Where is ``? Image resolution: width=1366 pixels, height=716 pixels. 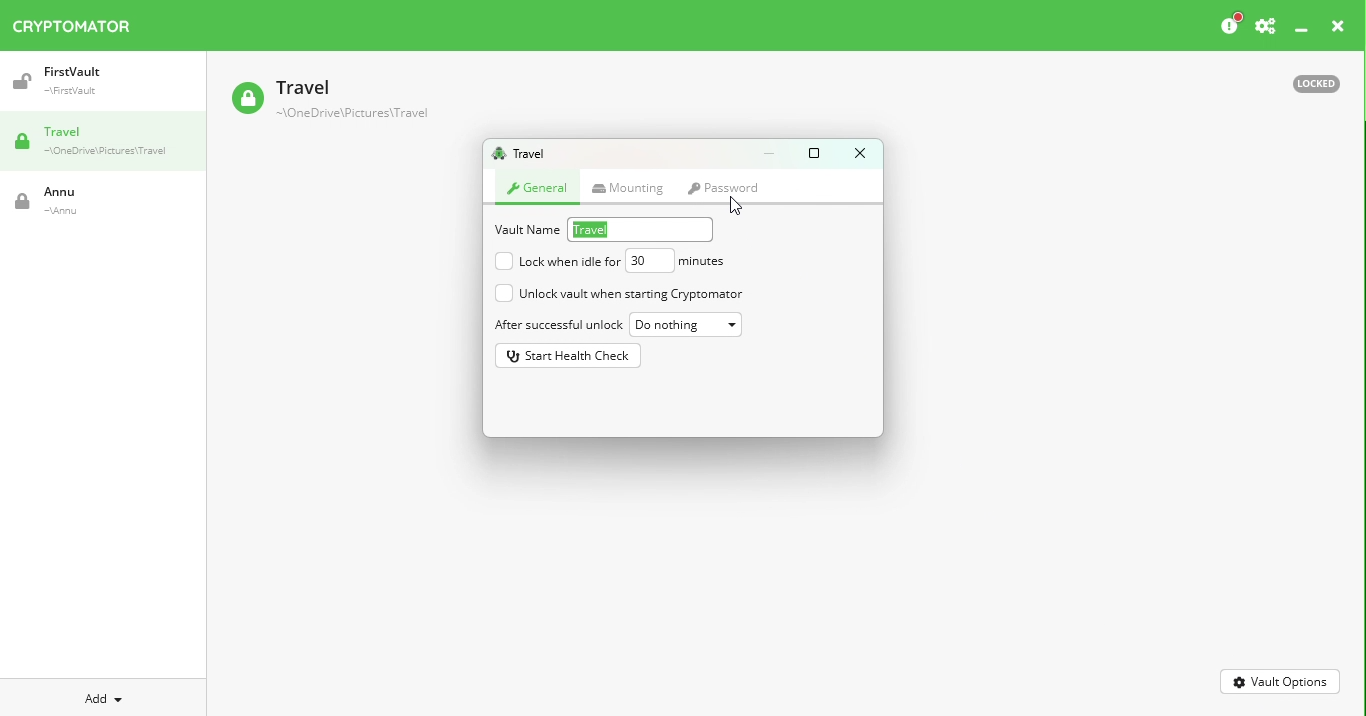  is located at coordinates (574, 356).